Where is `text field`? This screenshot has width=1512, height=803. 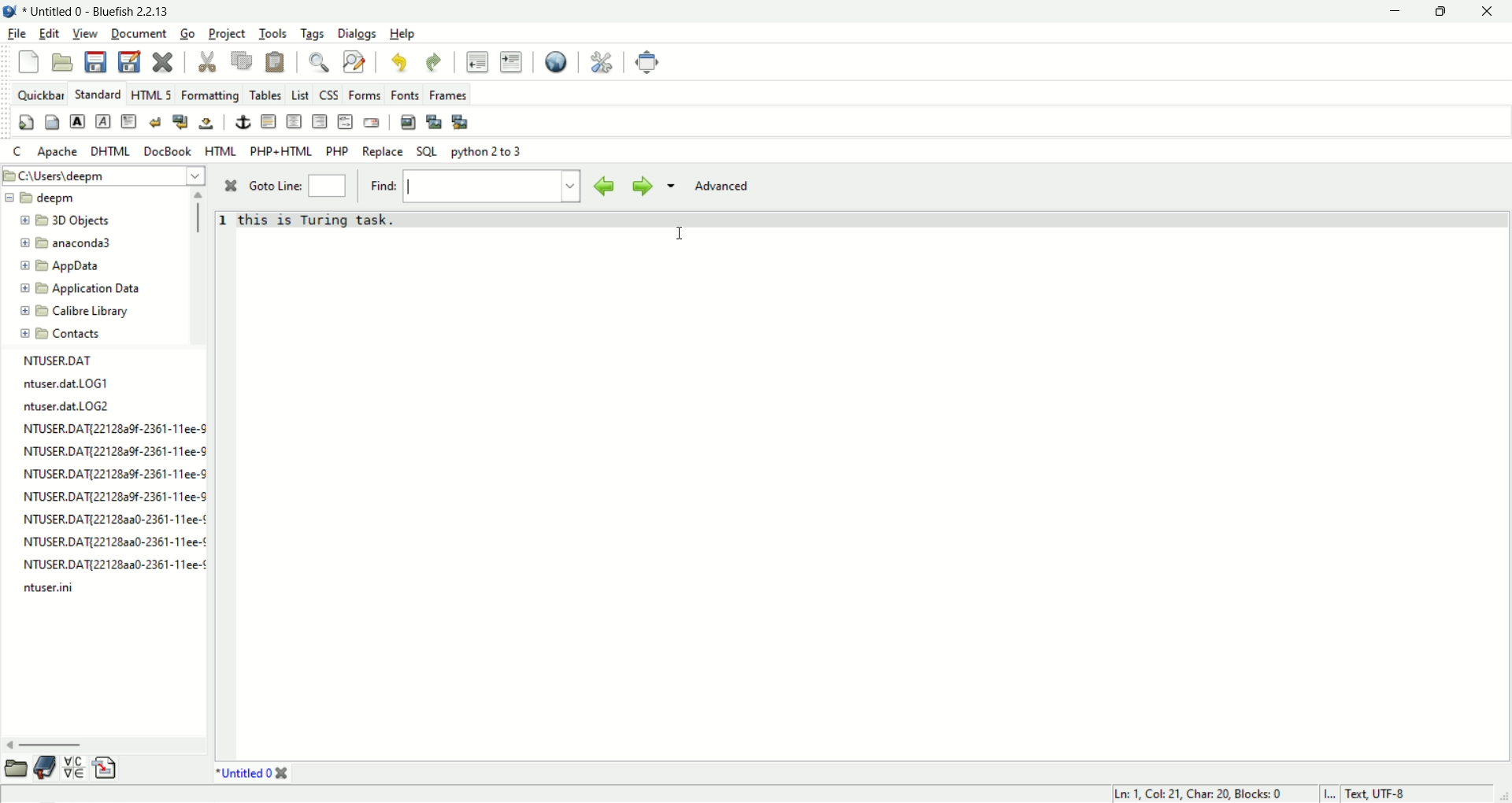
text field is located at coordinates (483, 187).